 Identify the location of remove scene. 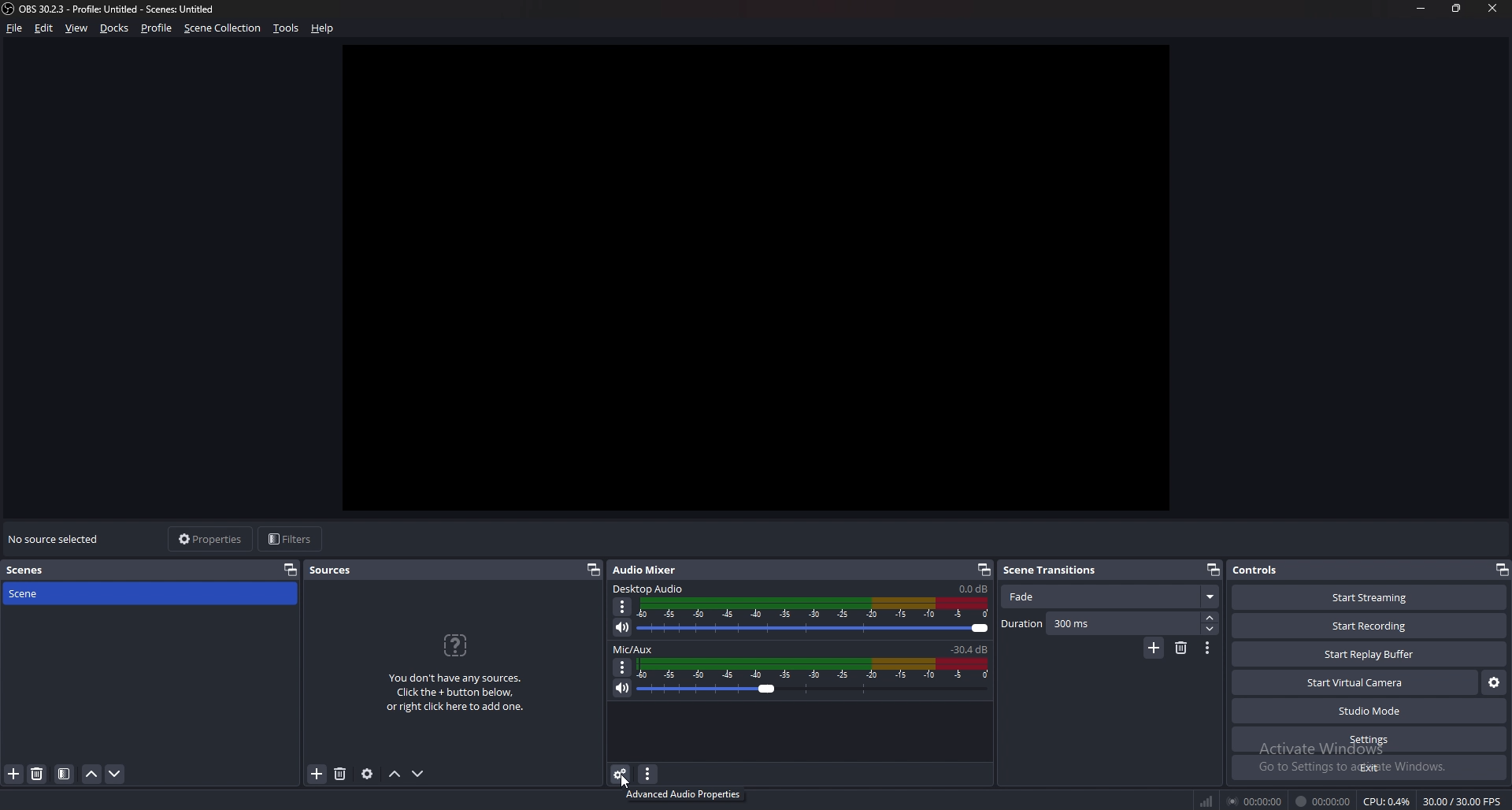
(1180, 648).